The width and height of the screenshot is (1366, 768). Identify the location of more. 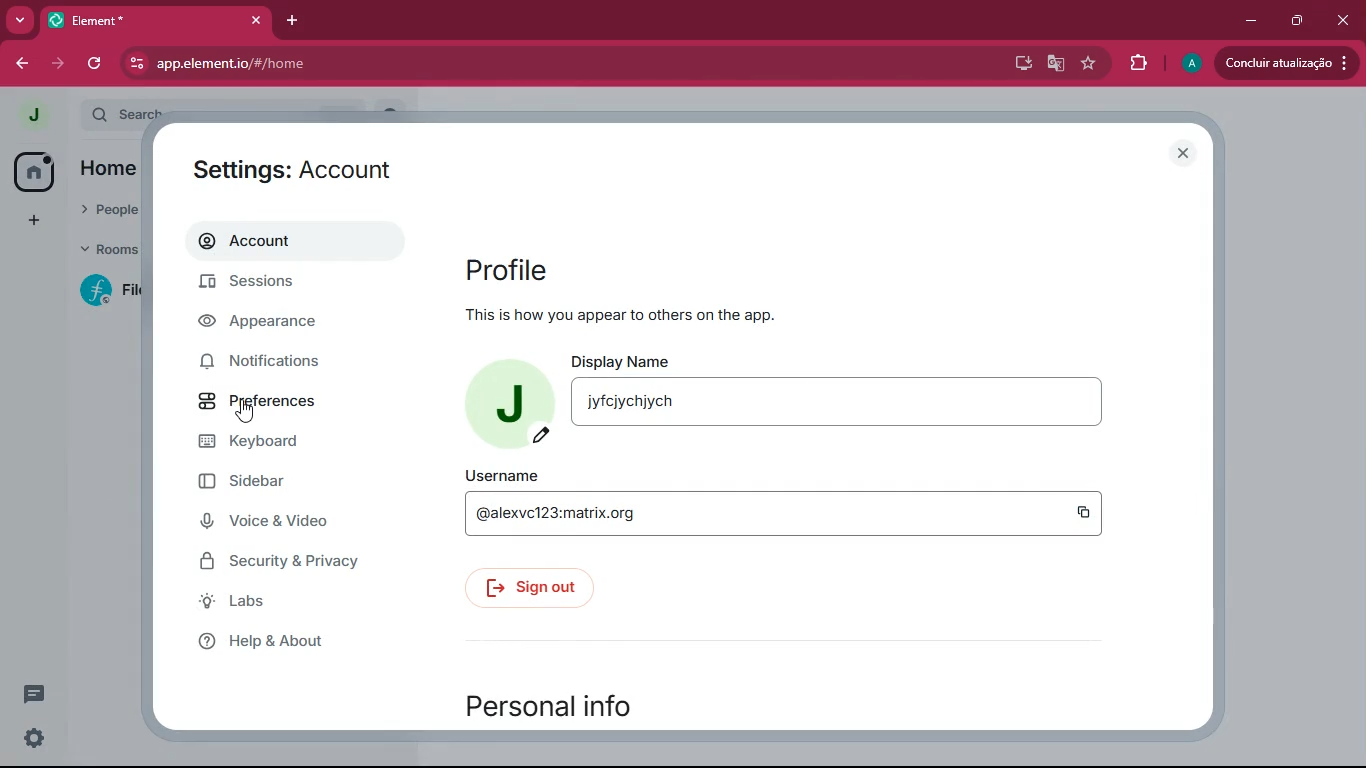
(18, 20).